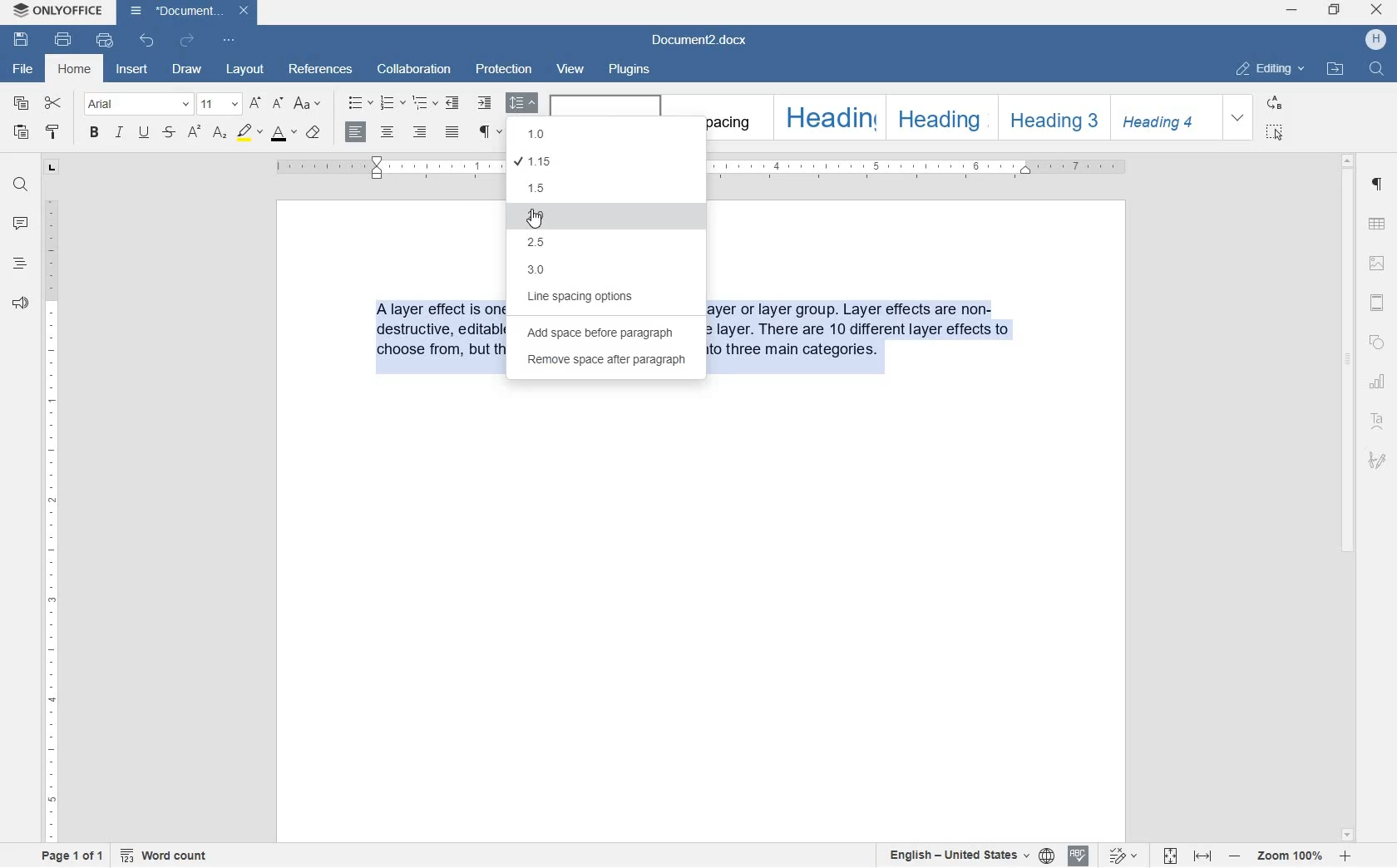  I want to click on cursor, so click(533, 218).